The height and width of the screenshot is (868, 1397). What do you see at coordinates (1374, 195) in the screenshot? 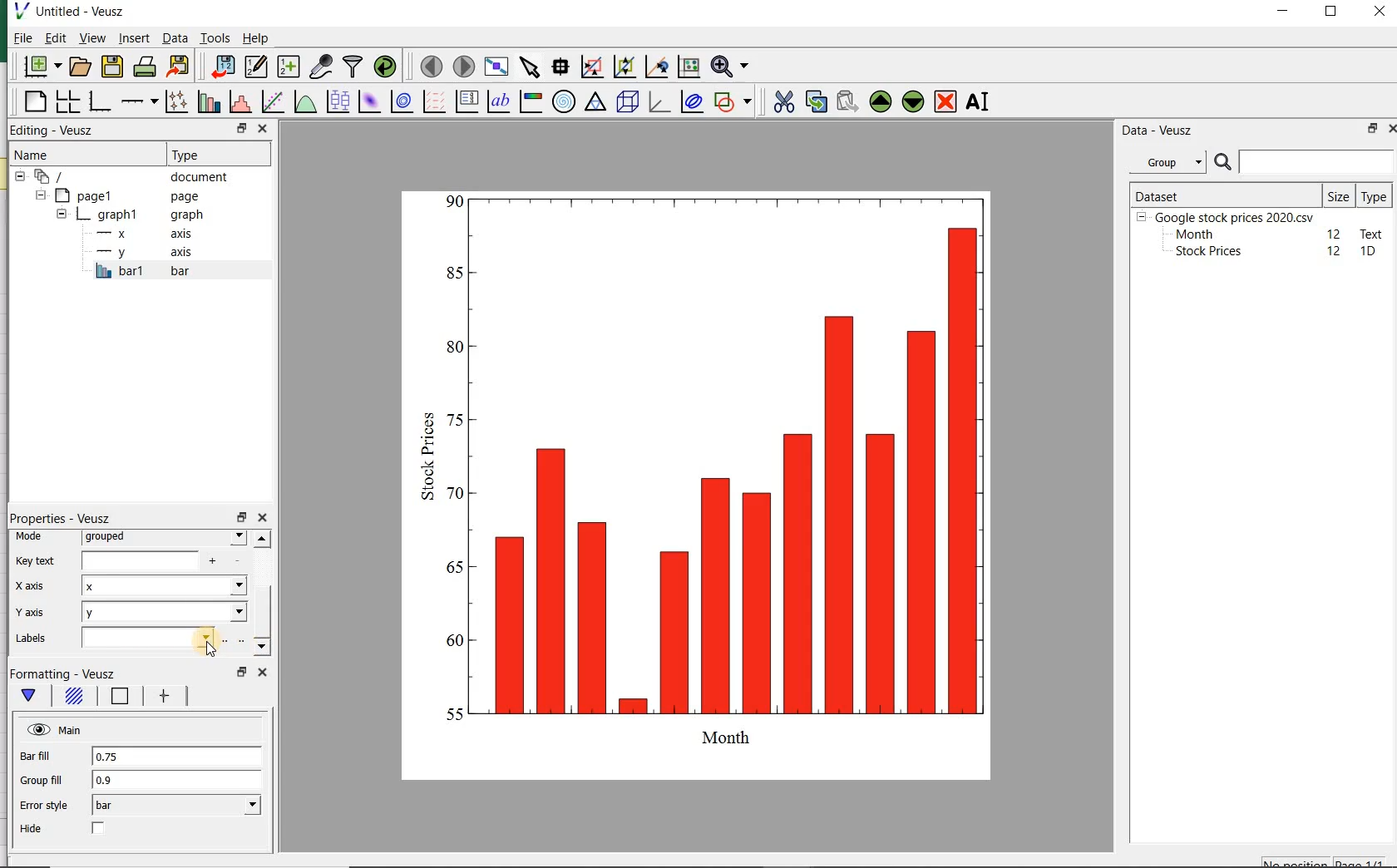
I see `Type` at bounding box center [1374, 195].